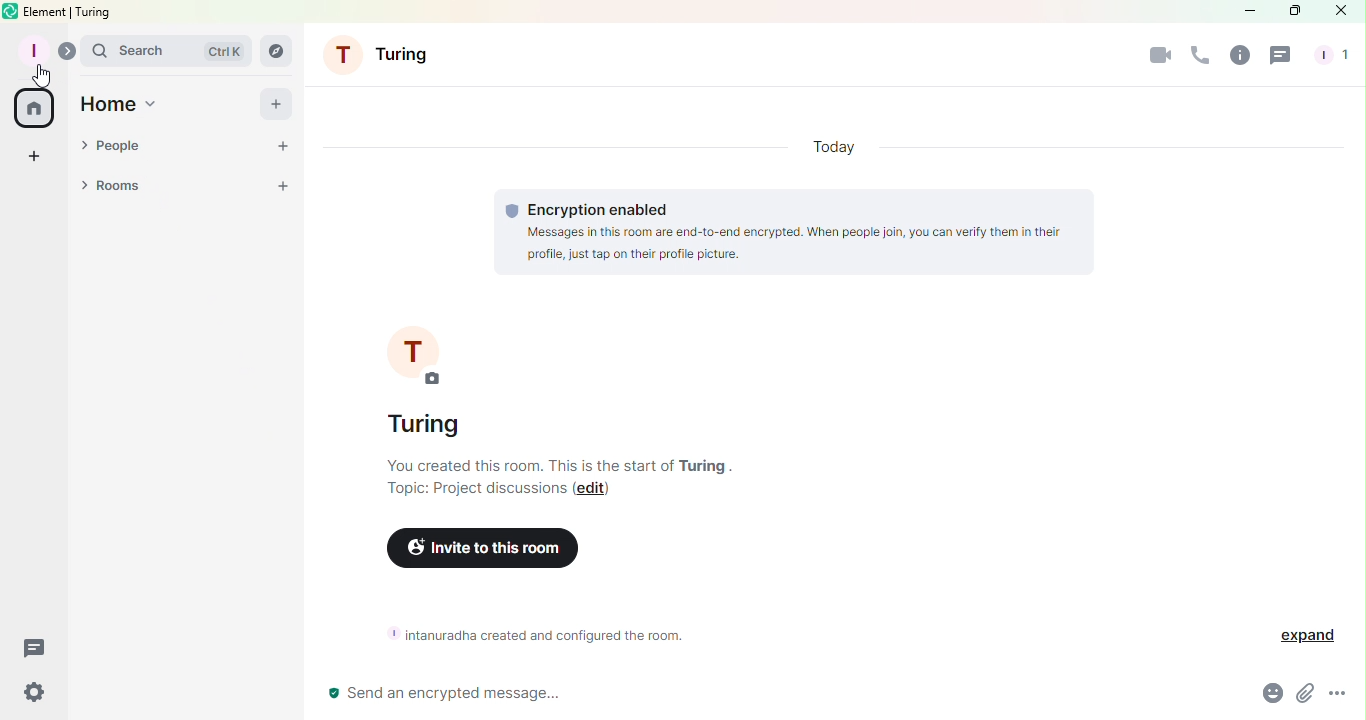 The width and height of the screenshot is (1366, 720). Describe the element at coordinates (602, 488) in the screenshot. I see `Edit` at that location.